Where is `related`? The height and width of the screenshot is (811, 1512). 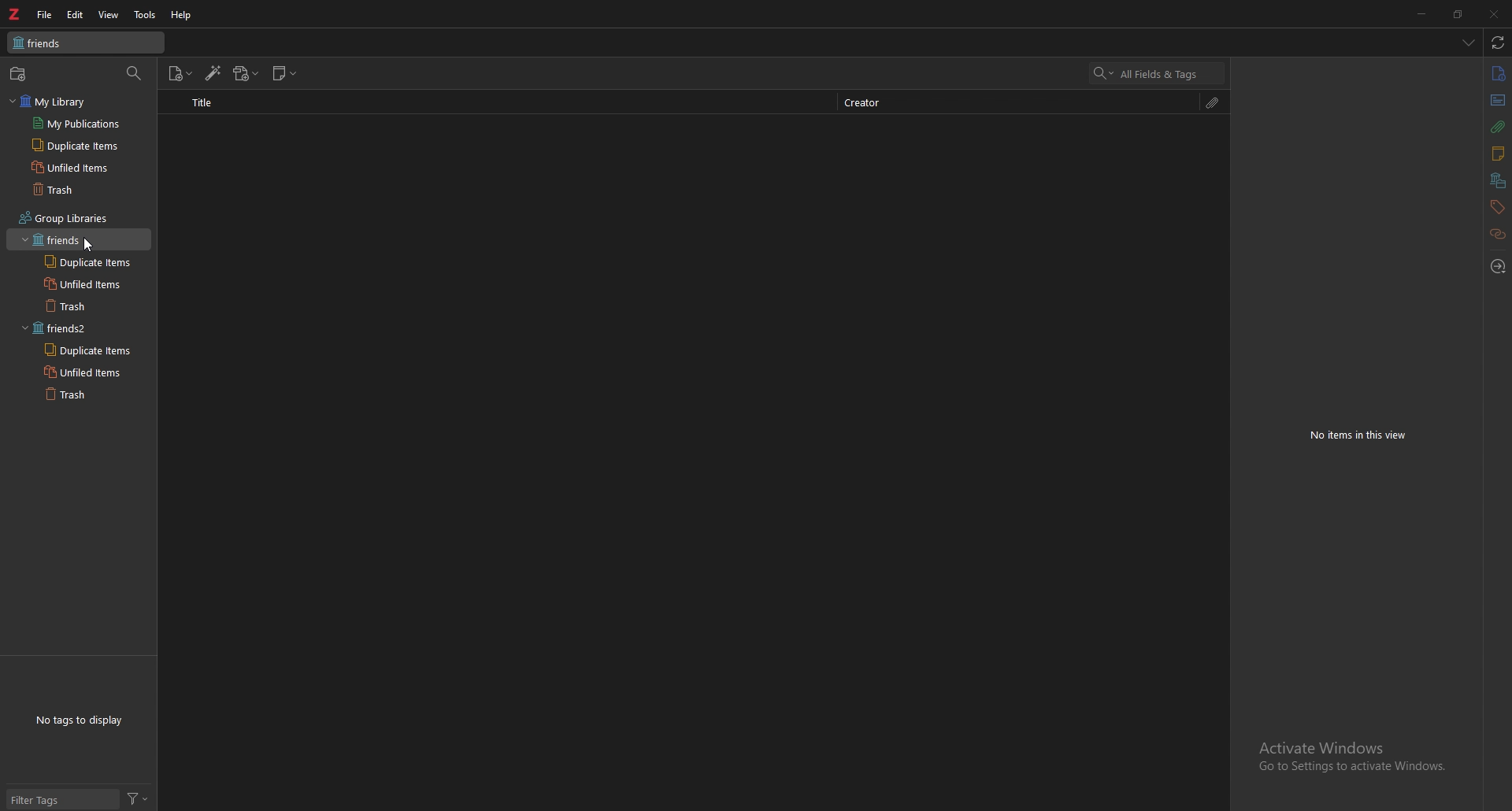 related is located at coordinates (1499, 234).